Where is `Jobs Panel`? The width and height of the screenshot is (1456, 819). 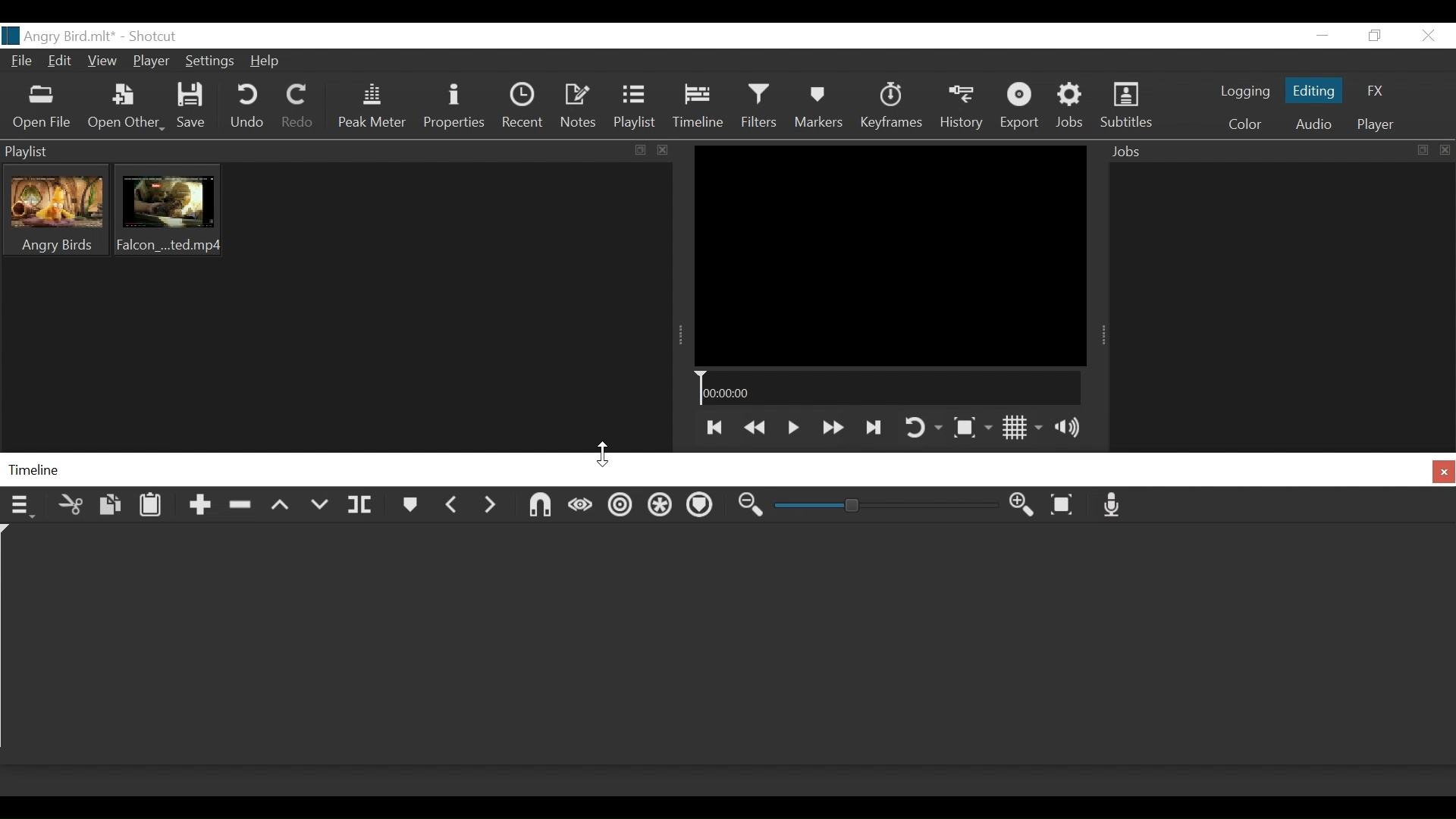 Jobs Panel is located at coordinates (1279, 151).